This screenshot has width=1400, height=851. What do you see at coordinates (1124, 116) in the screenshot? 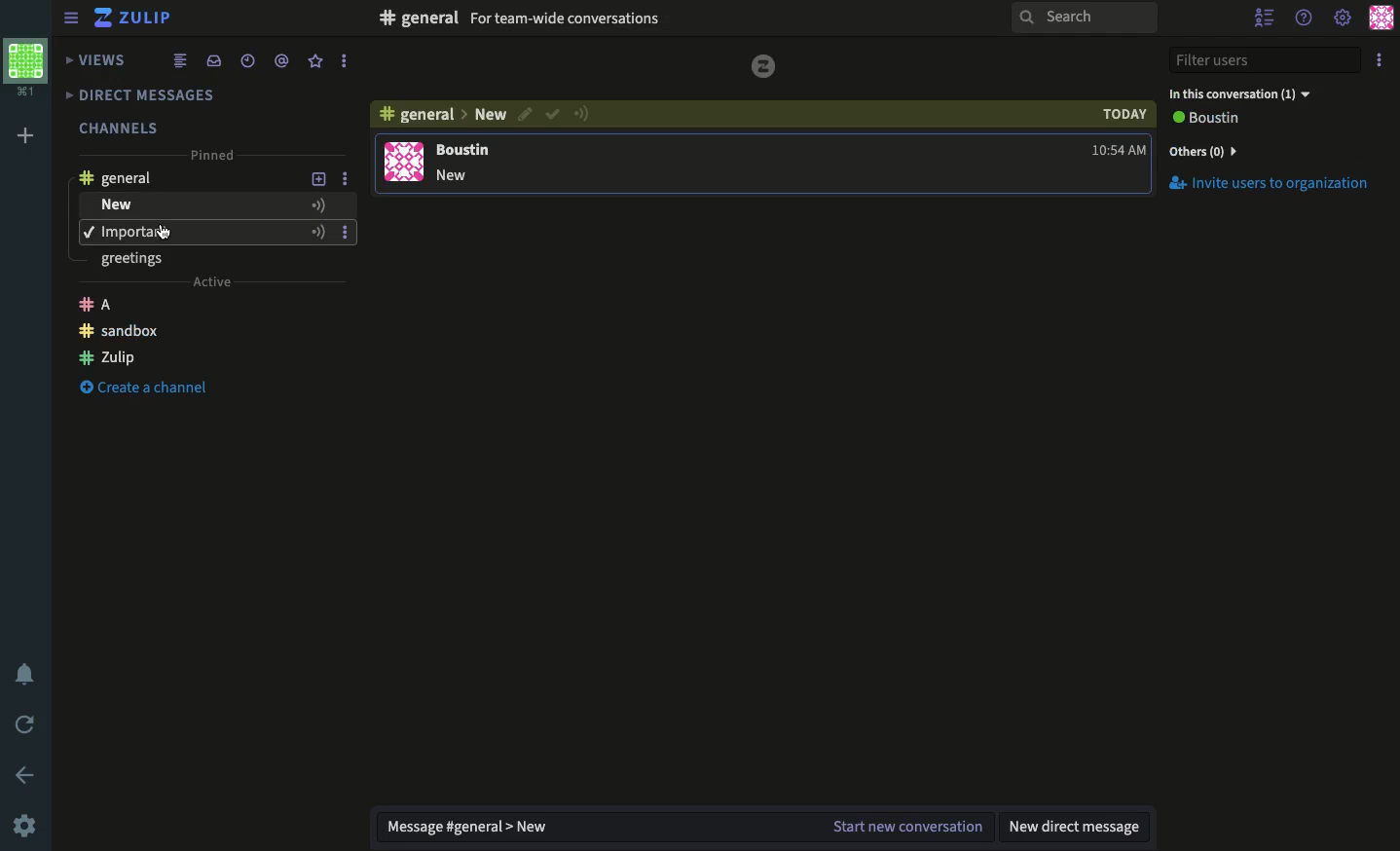
I see `today` at bounding box center [1124, 116].